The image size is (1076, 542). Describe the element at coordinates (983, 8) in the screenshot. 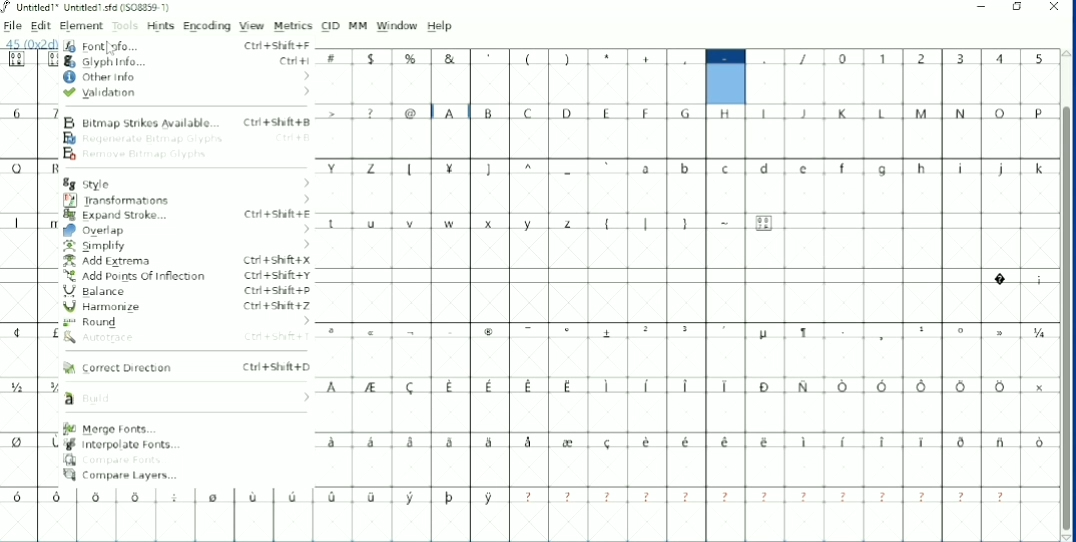

I see `Minimize` at that location.